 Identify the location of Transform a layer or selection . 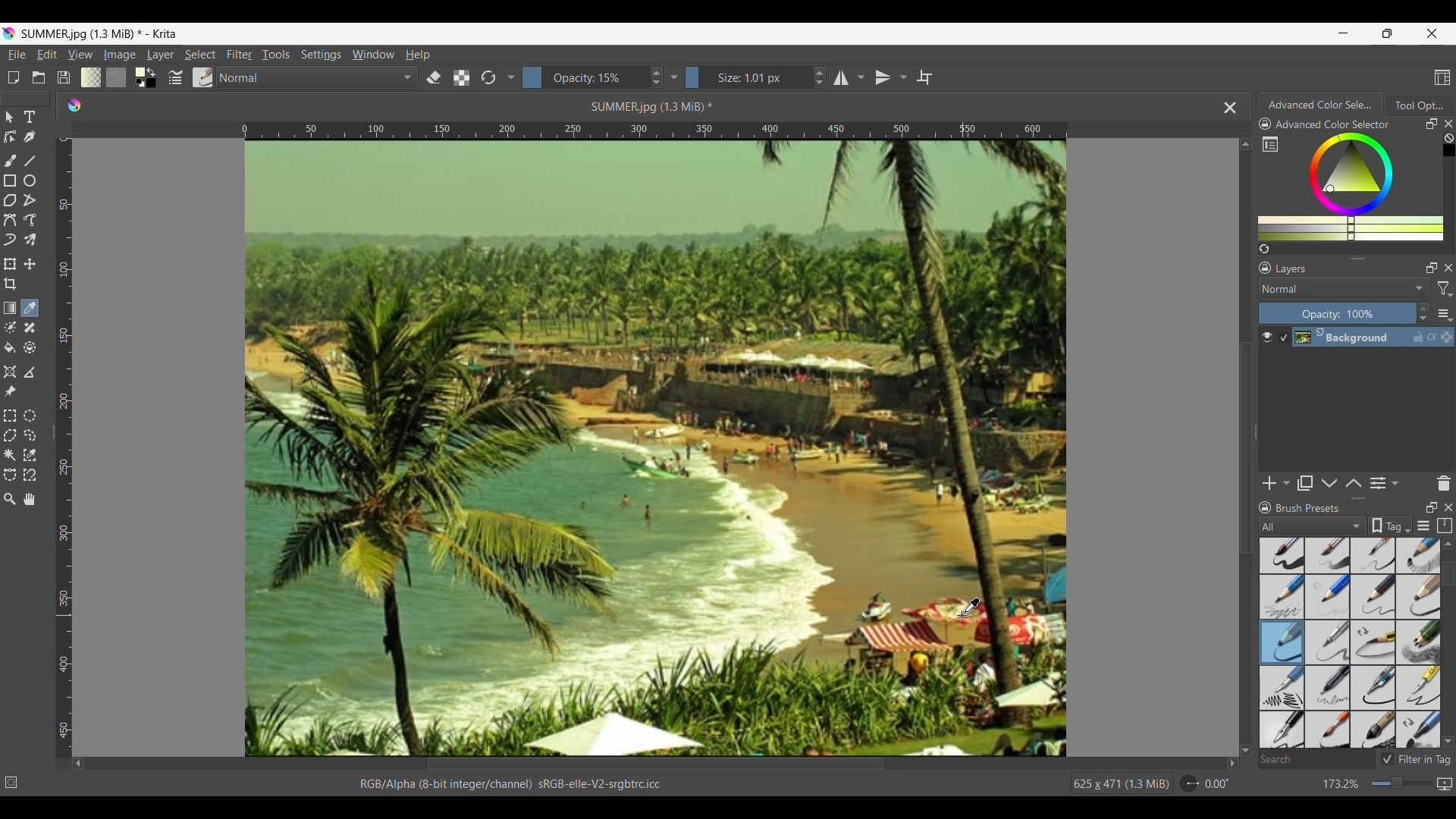
(9, 264).